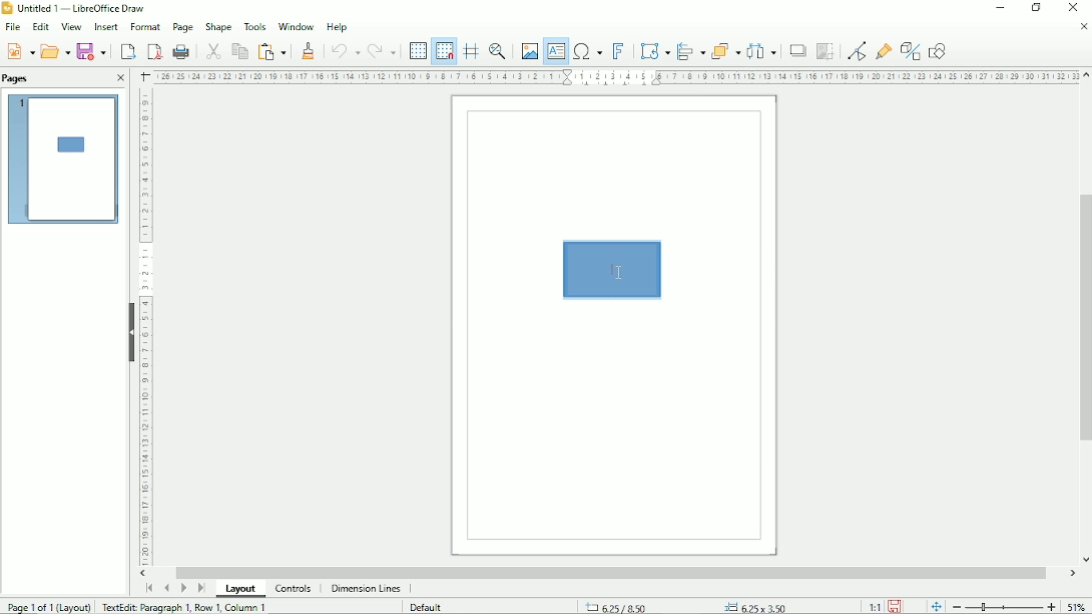  What do you see at coordinates (217, 26) in the screenshot?
I see `Shape` at bounding box center [217, 26].